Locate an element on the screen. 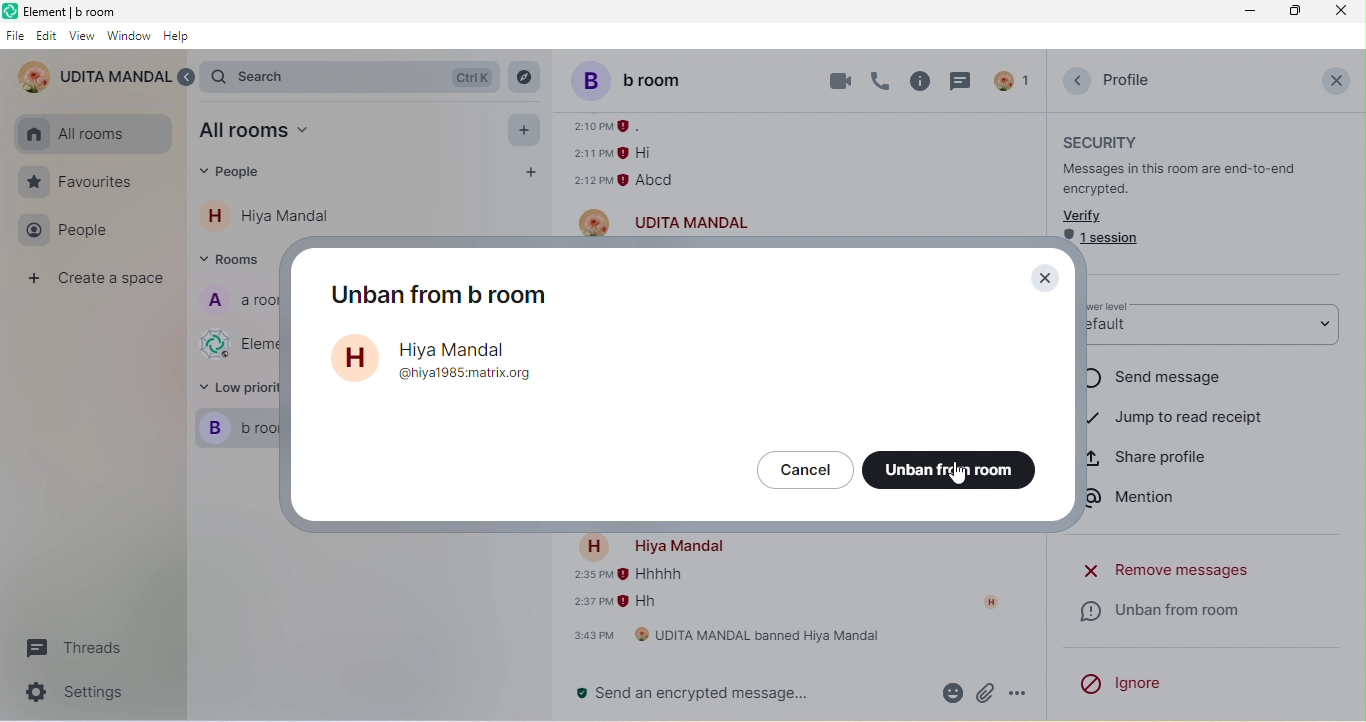 The width and height of the screenshot is (1366, 722). default is located at coordinates (1210, 334).